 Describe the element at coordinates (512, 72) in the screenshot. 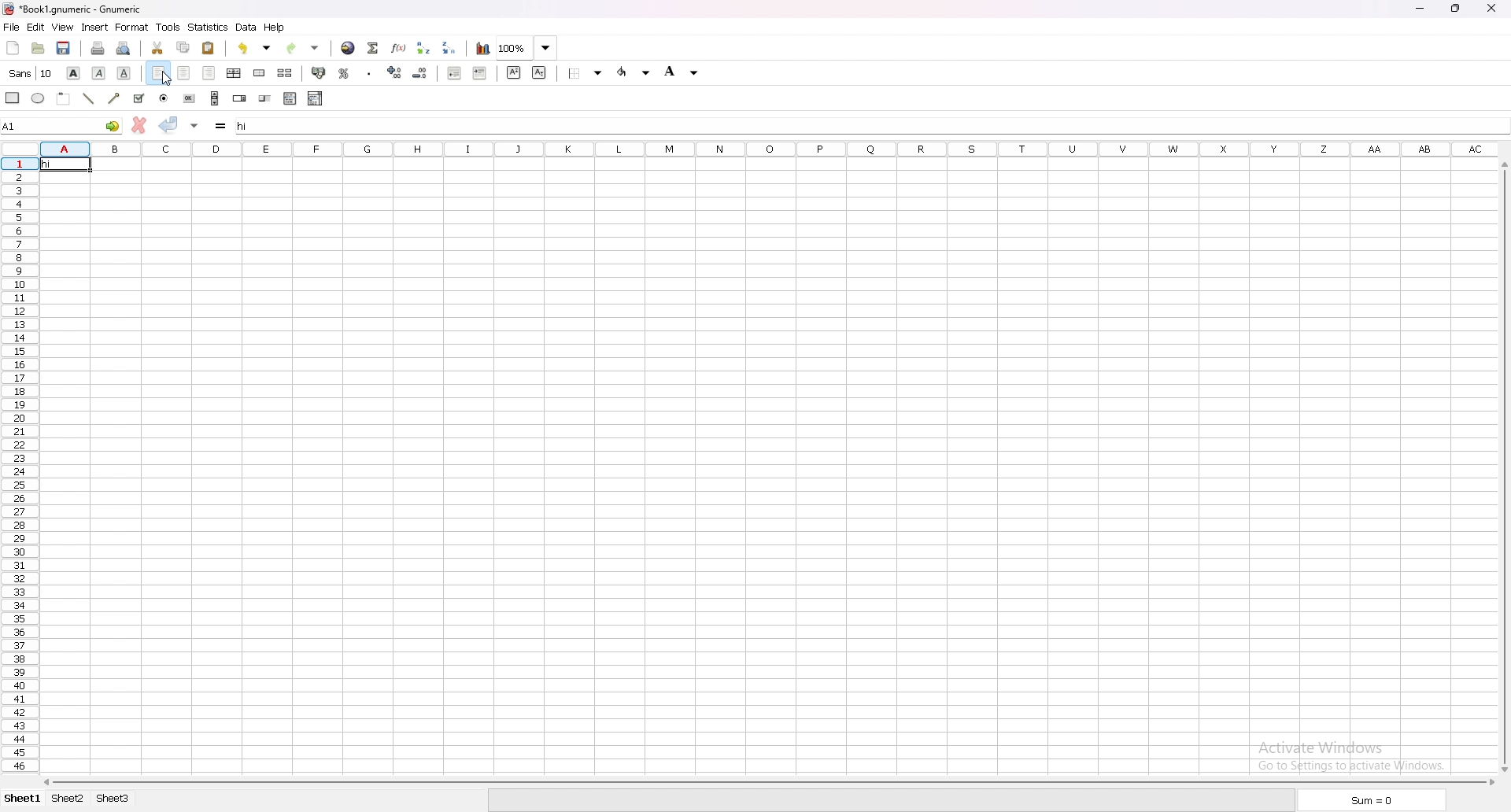

I see `superscript` at that location.